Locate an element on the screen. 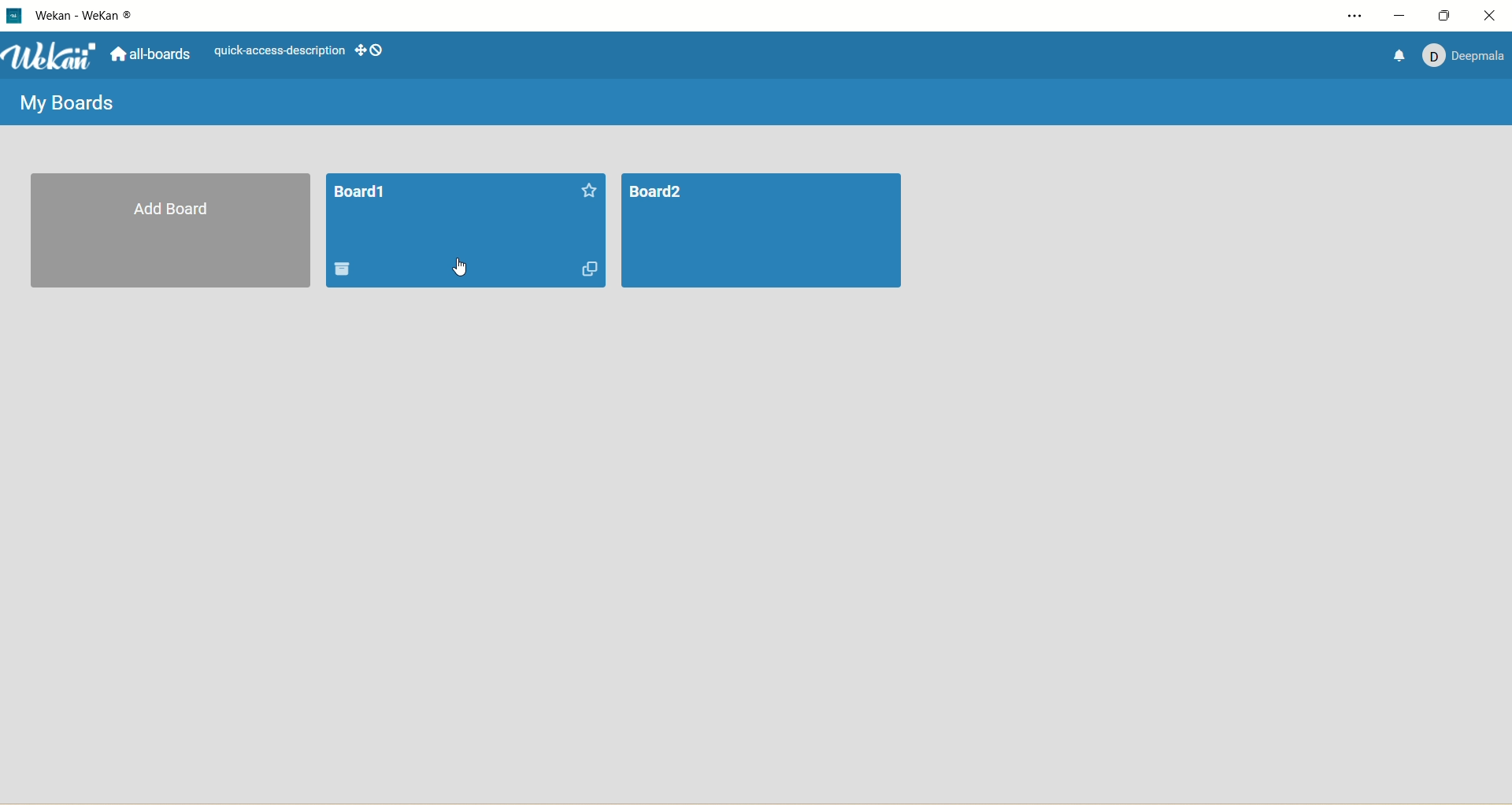 The height and width of the screenshot is (805, 1512). board2 is located at coordinates (769, 234).